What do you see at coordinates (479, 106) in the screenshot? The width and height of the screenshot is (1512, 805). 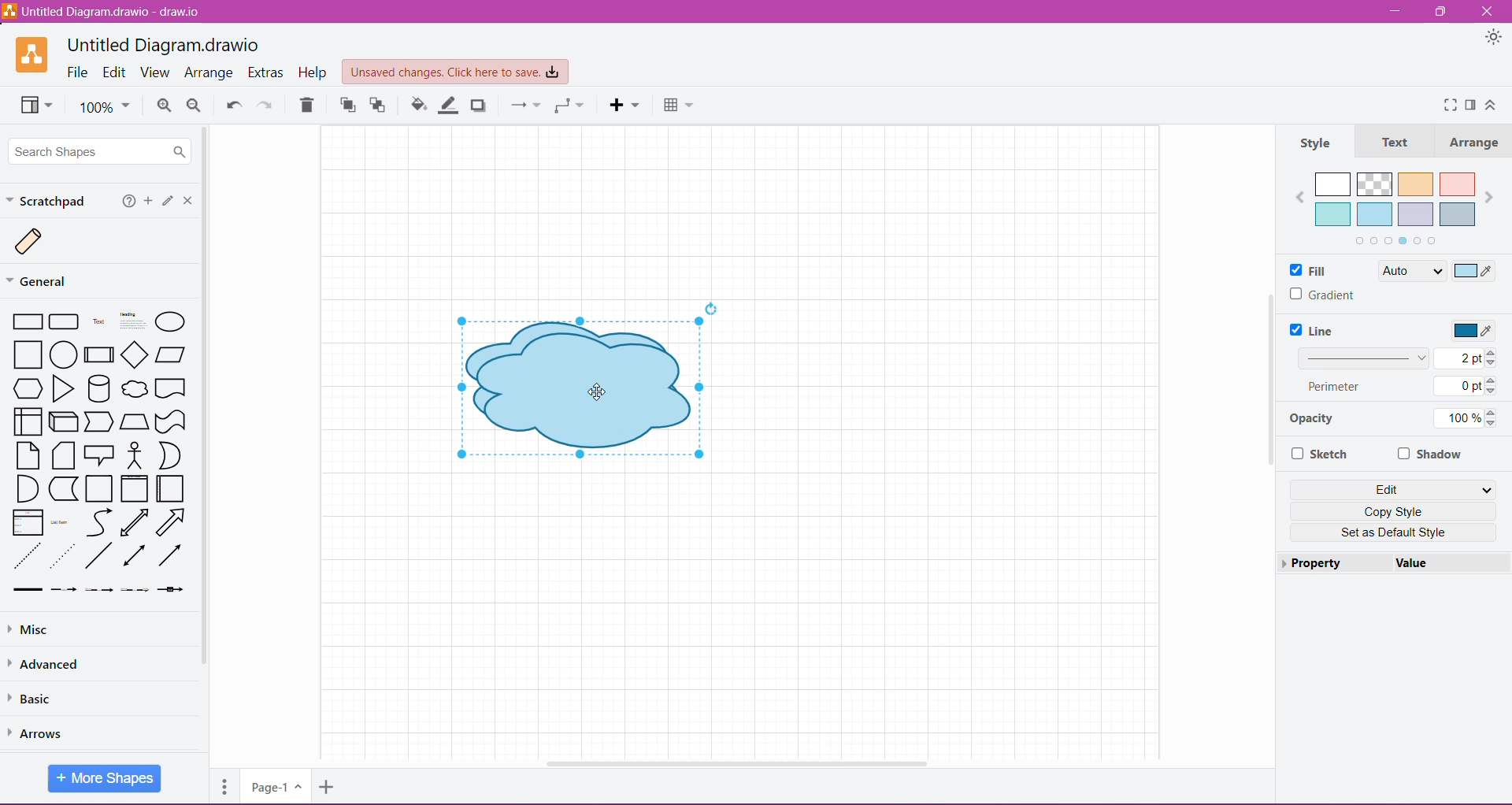 I see `Shadow` at bounding box center [479, 106].